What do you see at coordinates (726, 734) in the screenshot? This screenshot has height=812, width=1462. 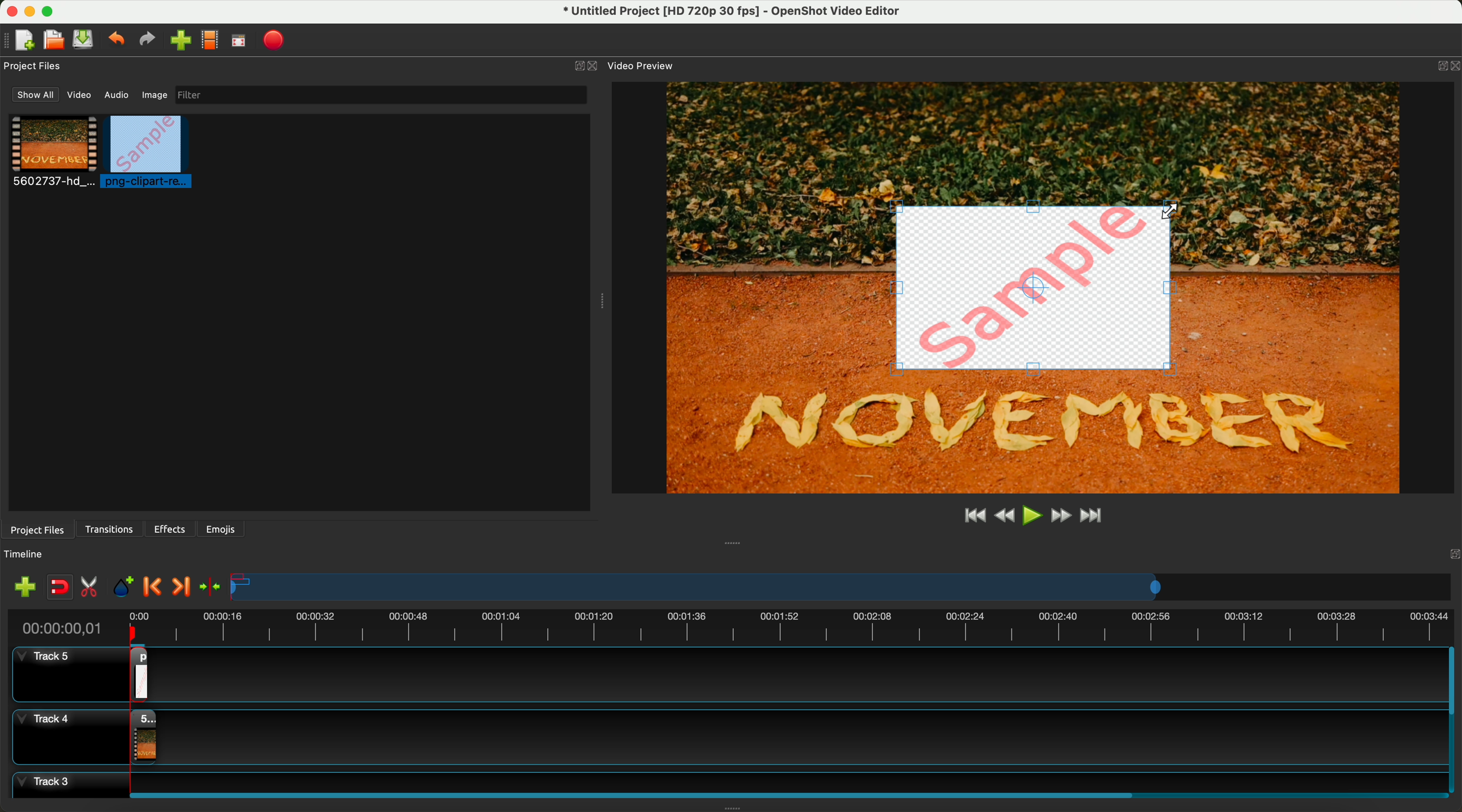 I see `track 4` at bounding box center [726, 734].